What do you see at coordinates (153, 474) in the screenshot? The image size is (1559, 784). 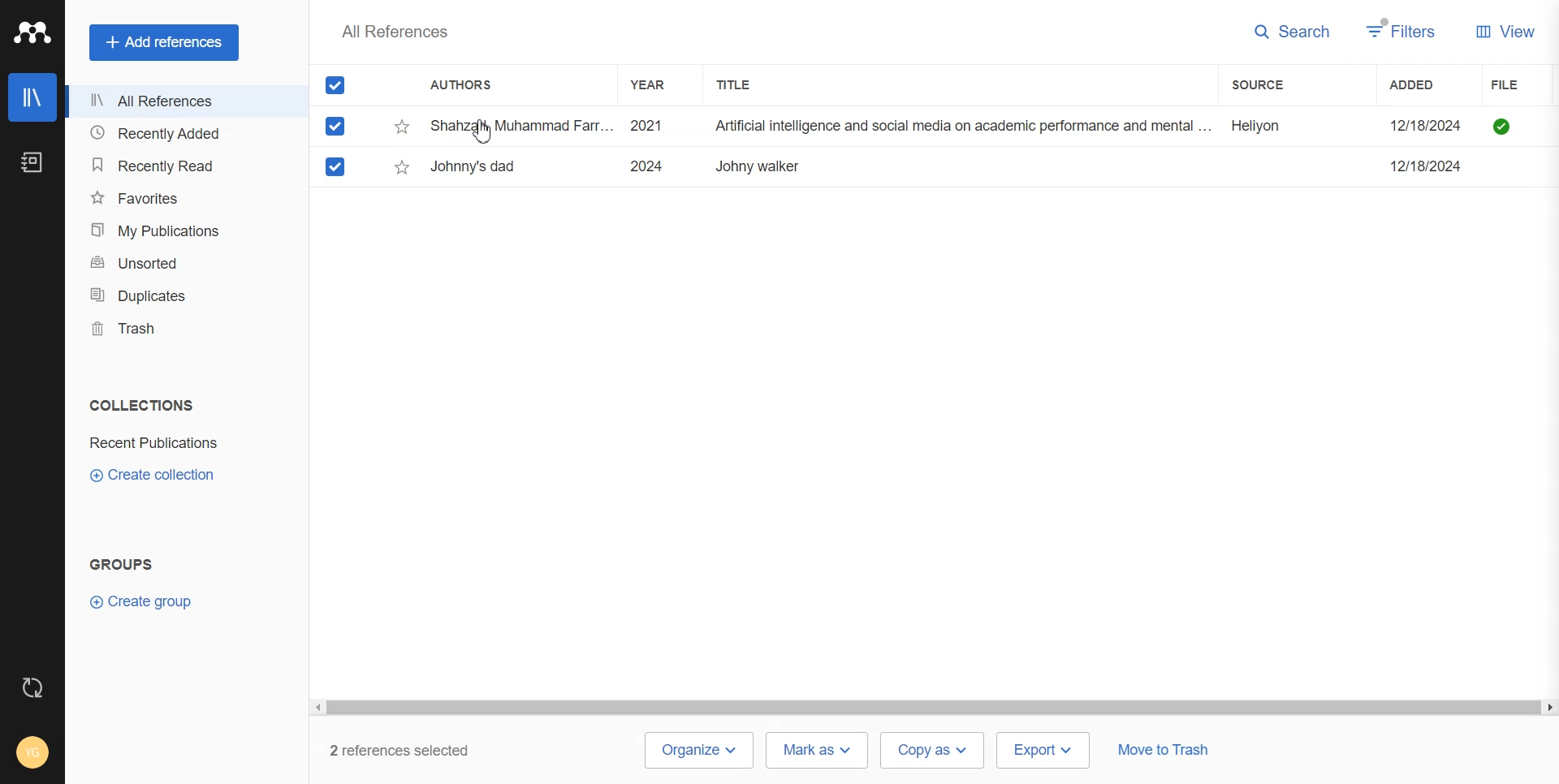 I see `Create collection` at bounding box center [153, 474].